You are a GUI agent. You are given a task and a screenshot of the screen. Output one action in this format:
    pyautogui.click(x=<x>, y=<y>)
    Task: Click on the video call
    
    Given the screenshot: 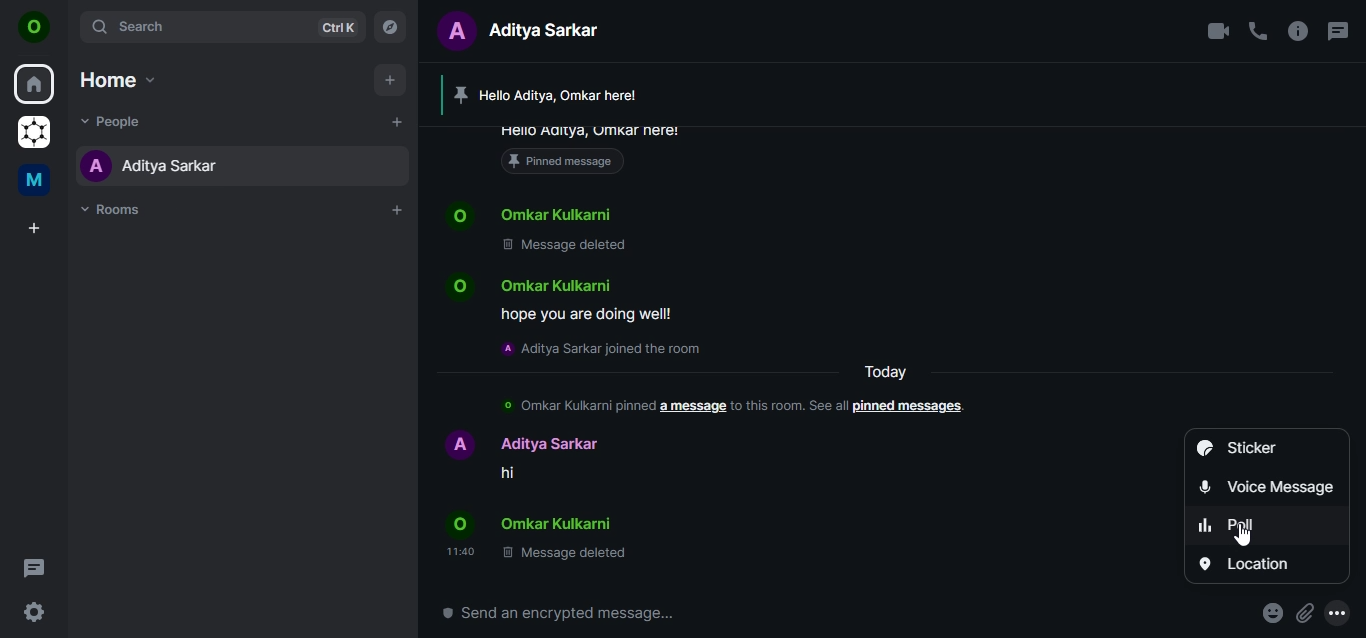 What is the action you would take?
    pyautogui.click(x=1217, y=31)
    